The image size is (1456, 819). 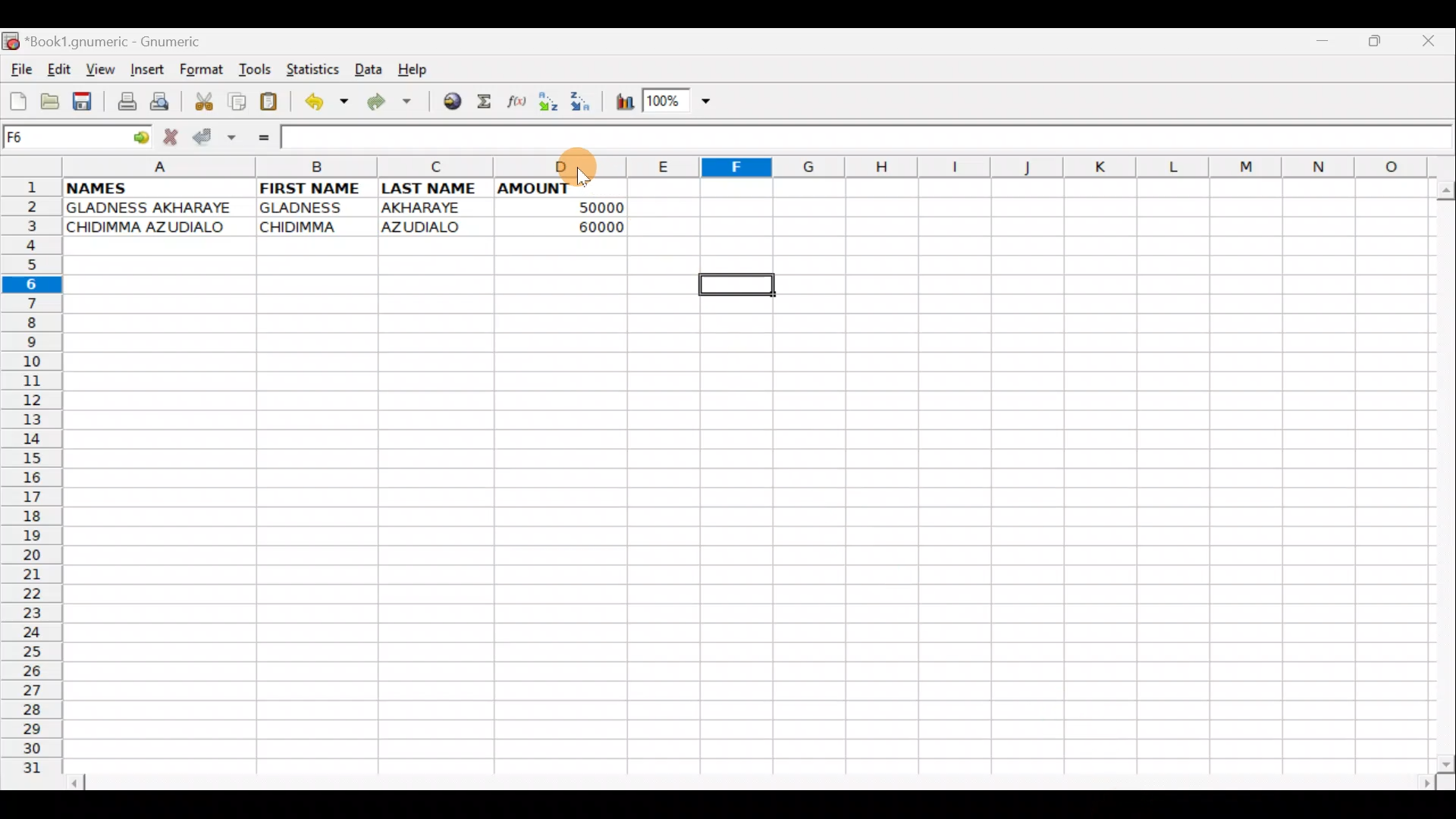 I want to click on Create new workbook, so click(x=17, y=102).